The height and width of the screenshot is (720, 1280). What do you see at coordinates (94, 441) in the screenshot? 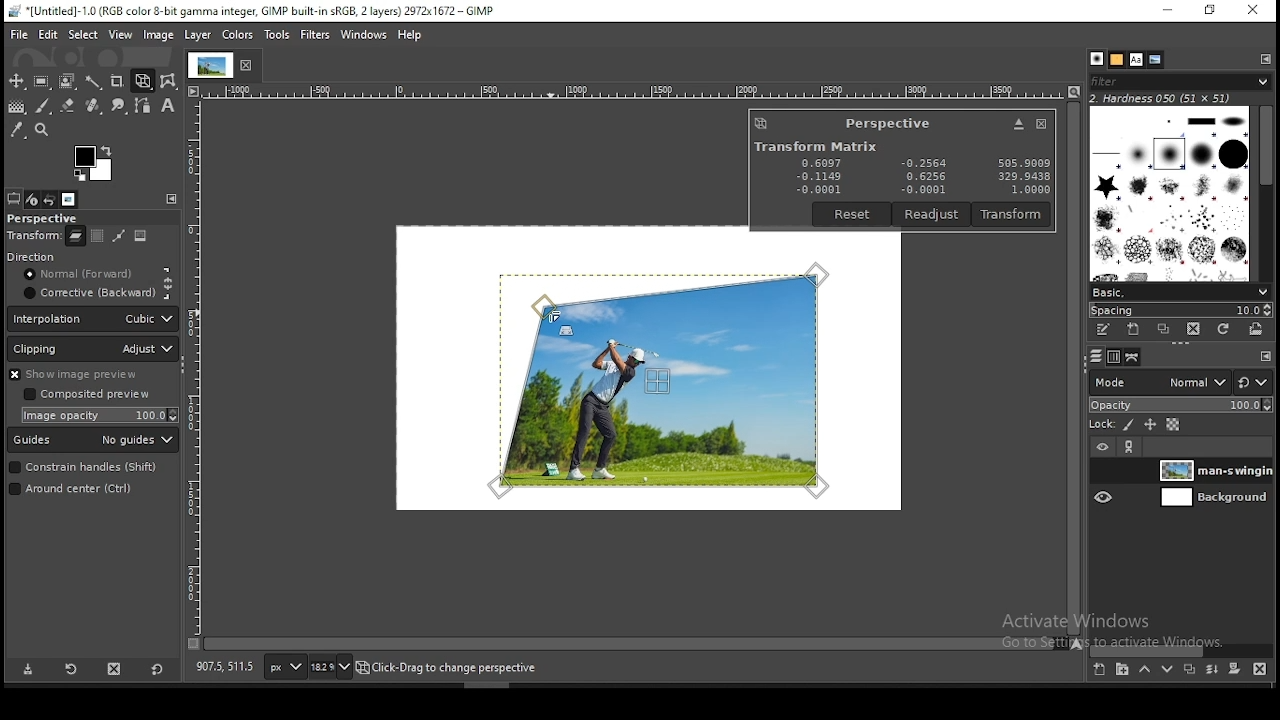
I see `guides` at bounding box center [94, 441].